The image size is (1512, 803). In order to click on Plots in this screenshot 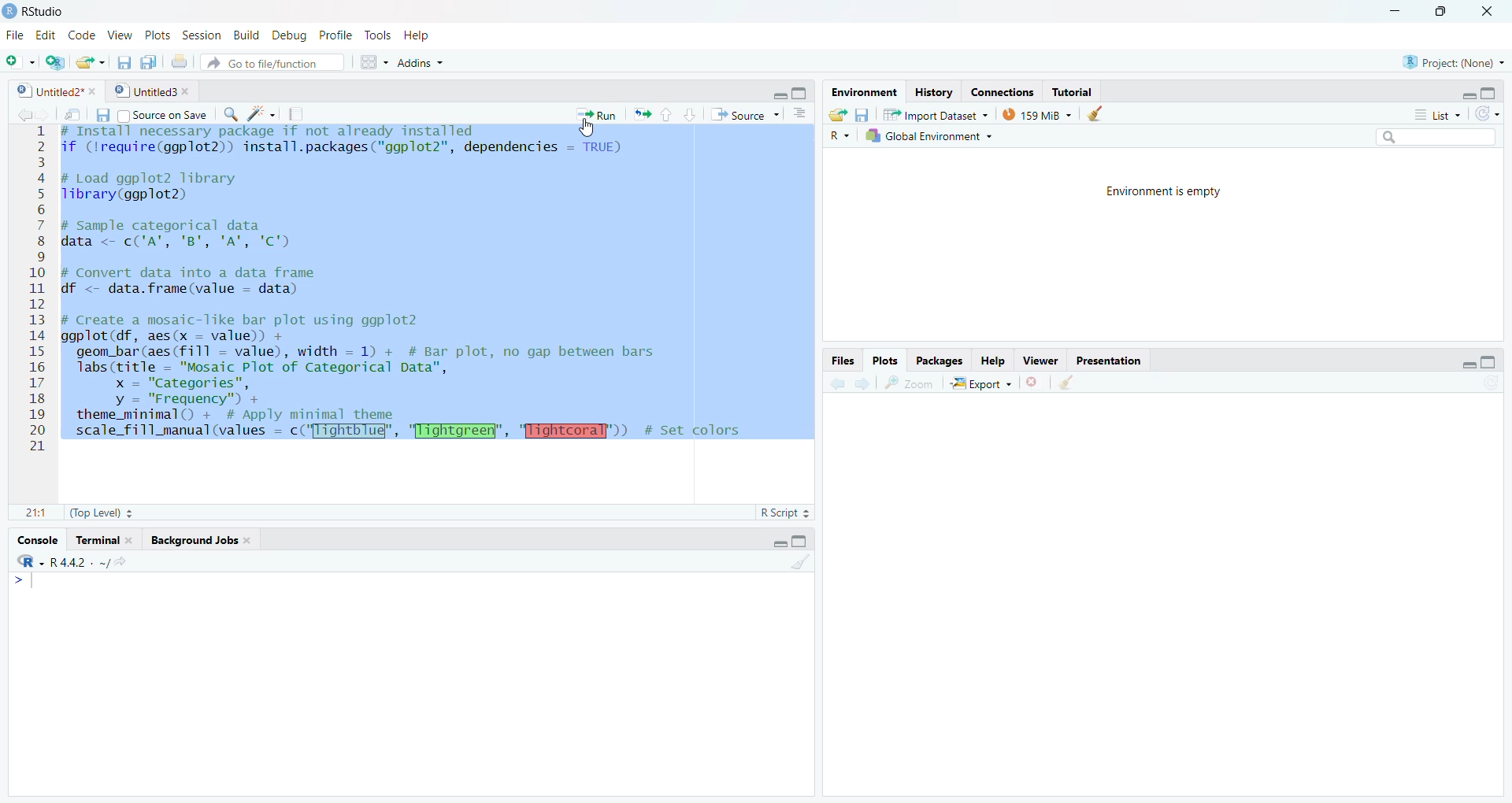, I will do `click(155, 35)`.